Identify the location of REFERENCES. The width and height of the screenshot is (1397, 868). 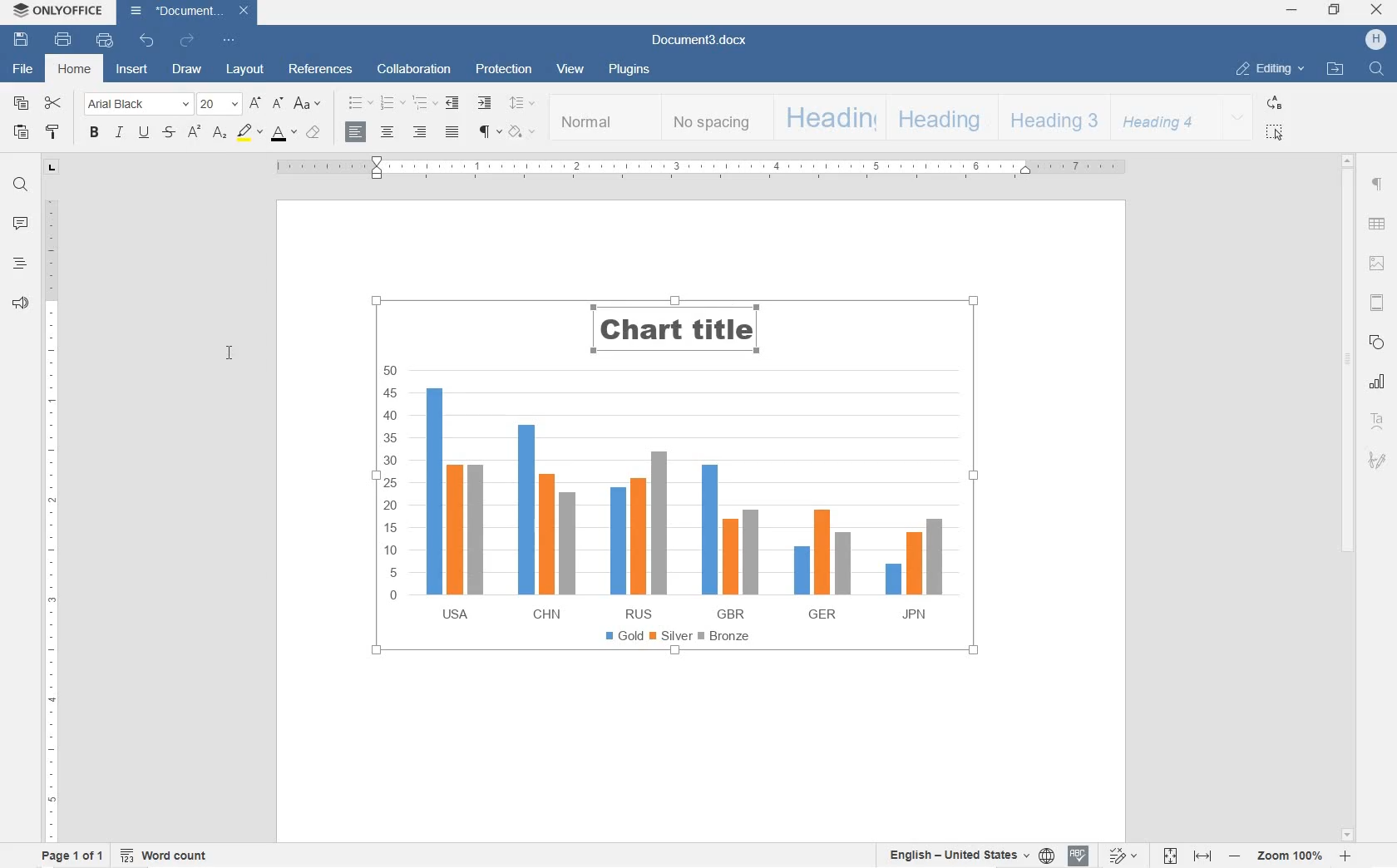
(321, 67).